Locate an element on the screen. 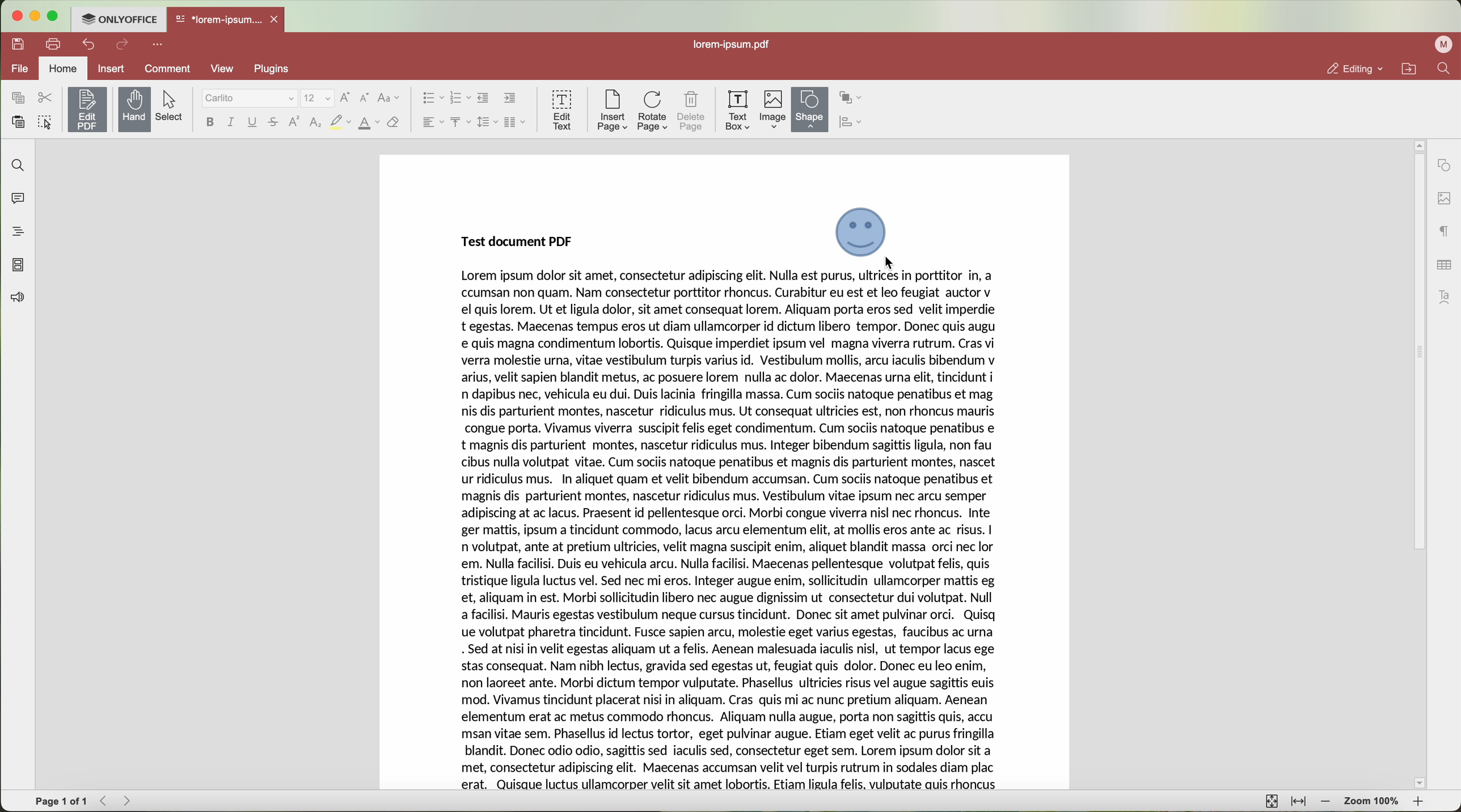  subscript is located at coordinates (315, 124).